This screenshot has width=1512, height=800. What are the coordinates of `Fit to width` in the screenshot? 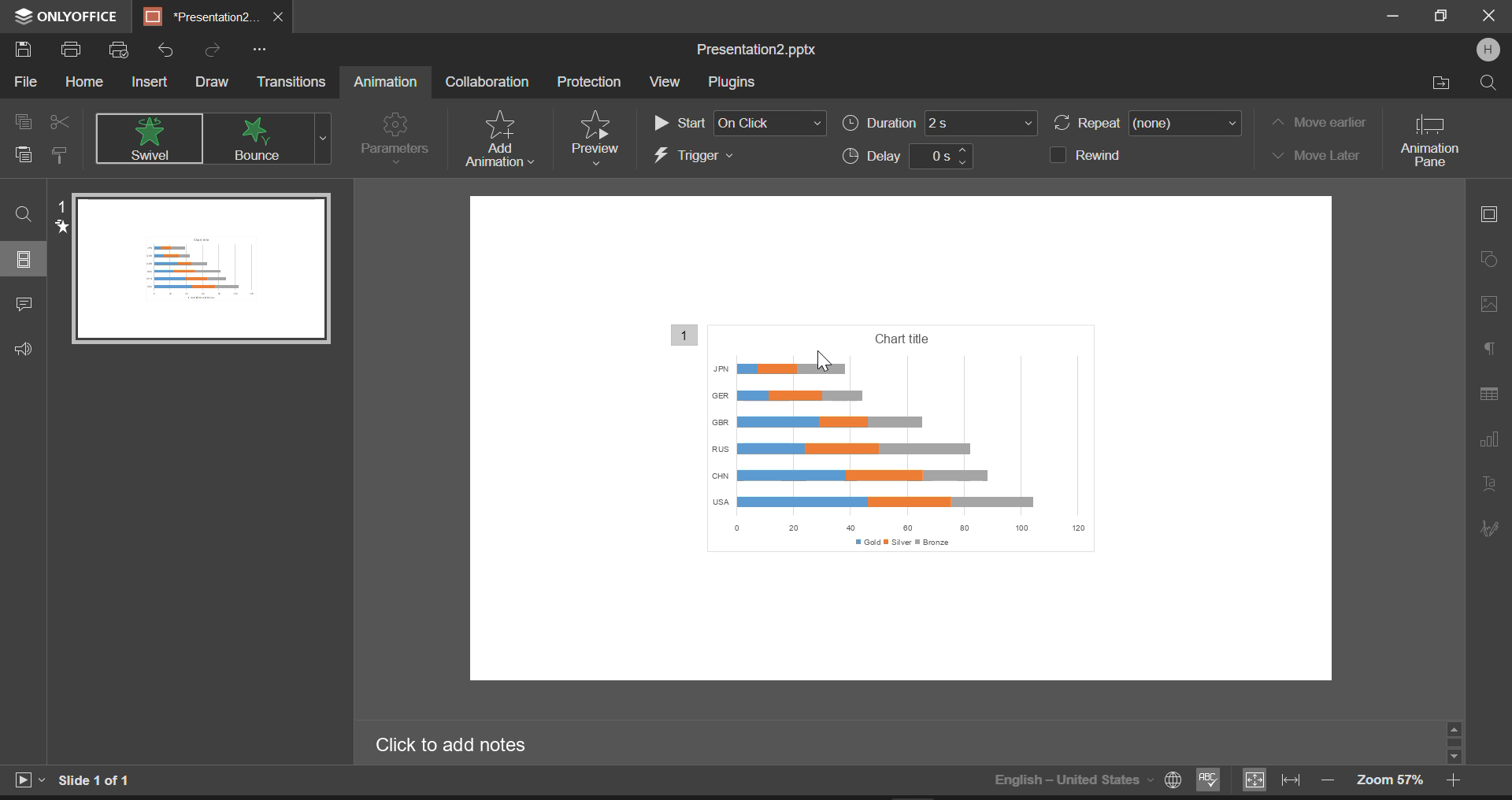 It's located at (1291, 780).